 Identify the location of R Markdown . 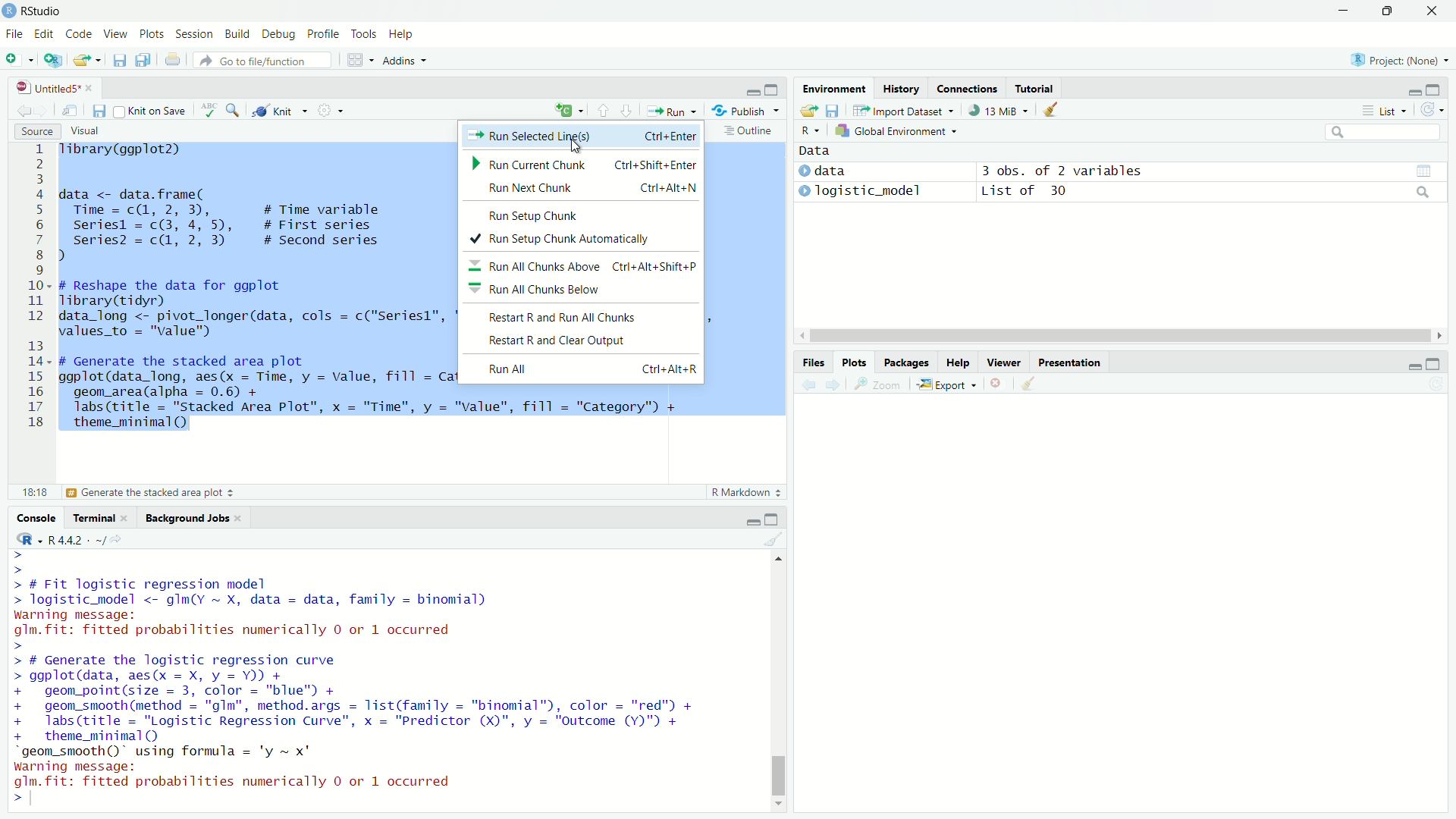
(733, 490).